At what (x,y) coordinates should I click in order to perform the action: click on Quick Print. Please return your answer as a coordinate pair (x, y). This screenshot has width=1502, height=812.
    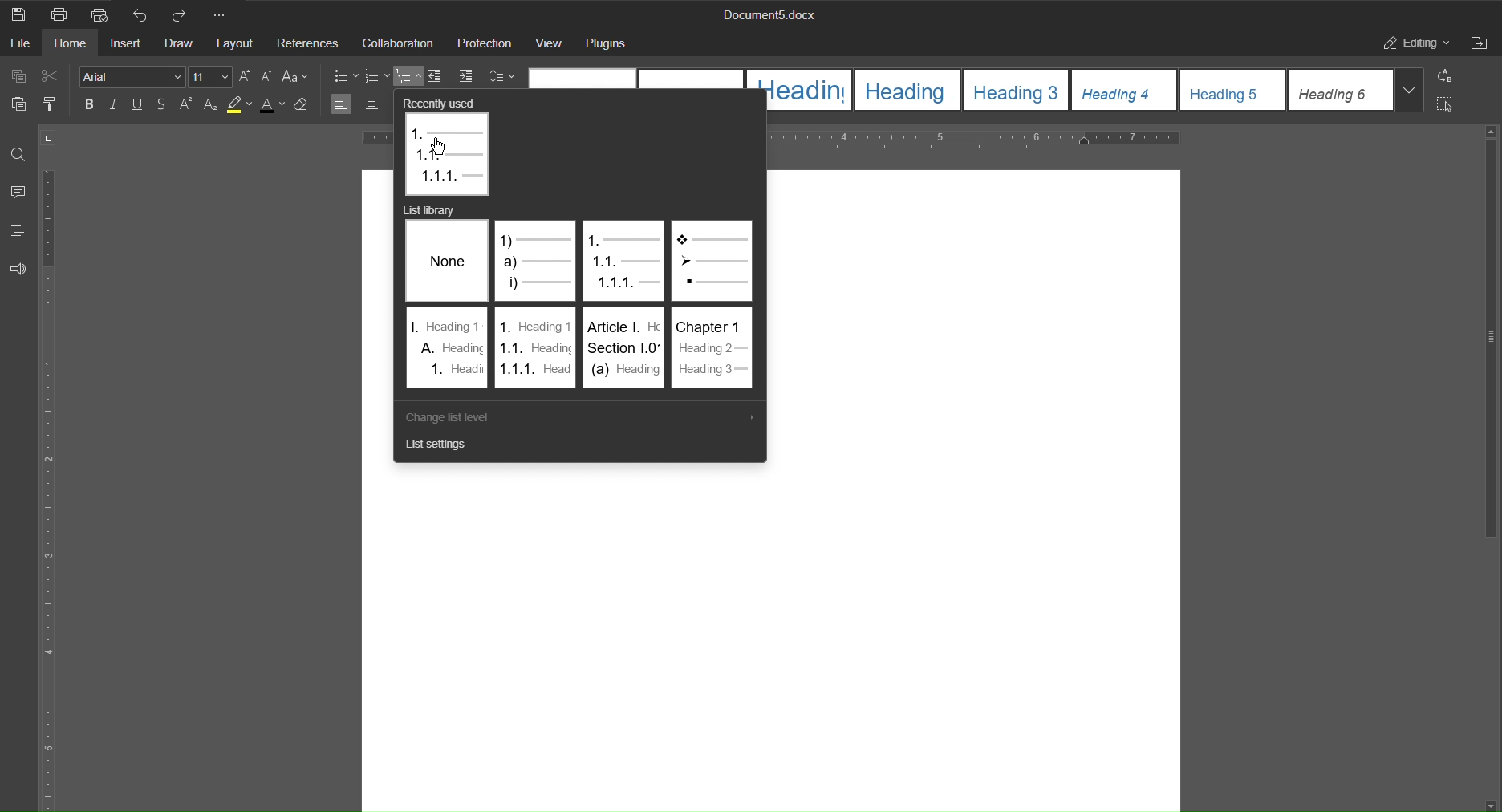
    Looking at the image, I should click on (104, 14).